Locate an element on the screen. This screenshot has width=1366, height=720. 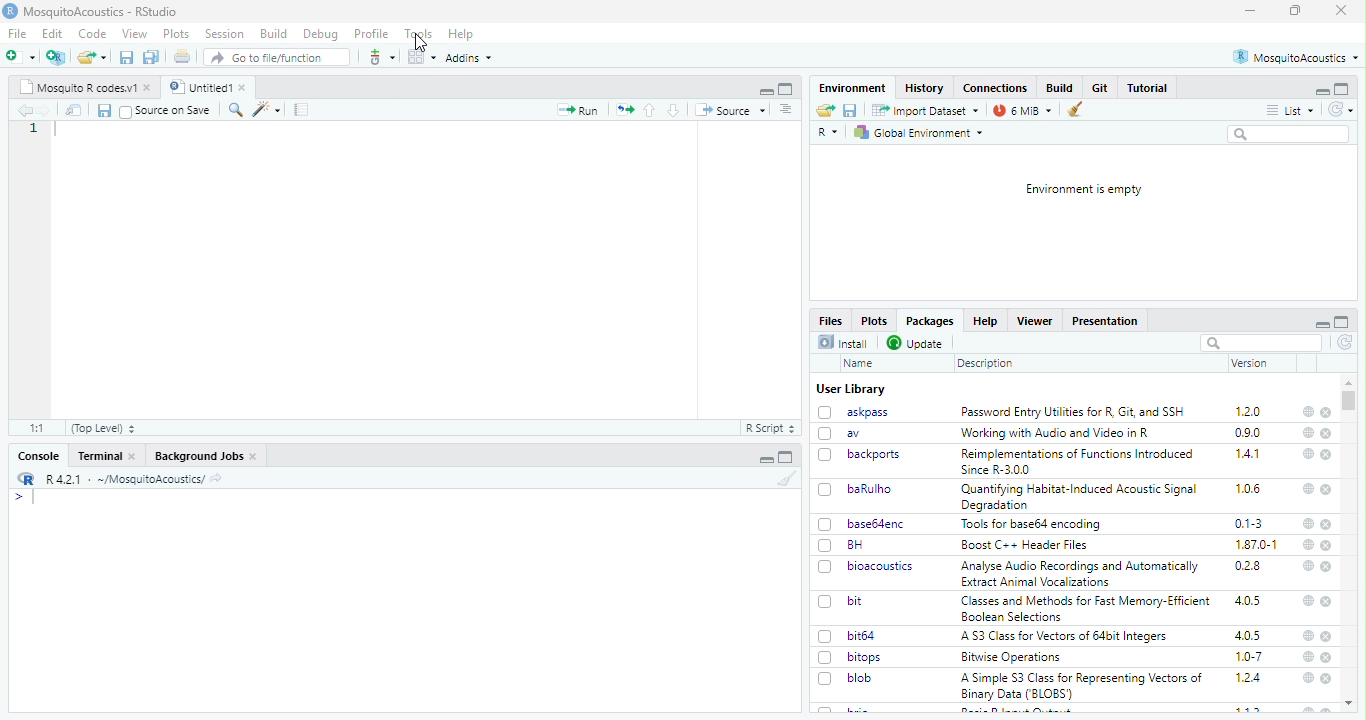
tool is located at coordinates (380, 57).